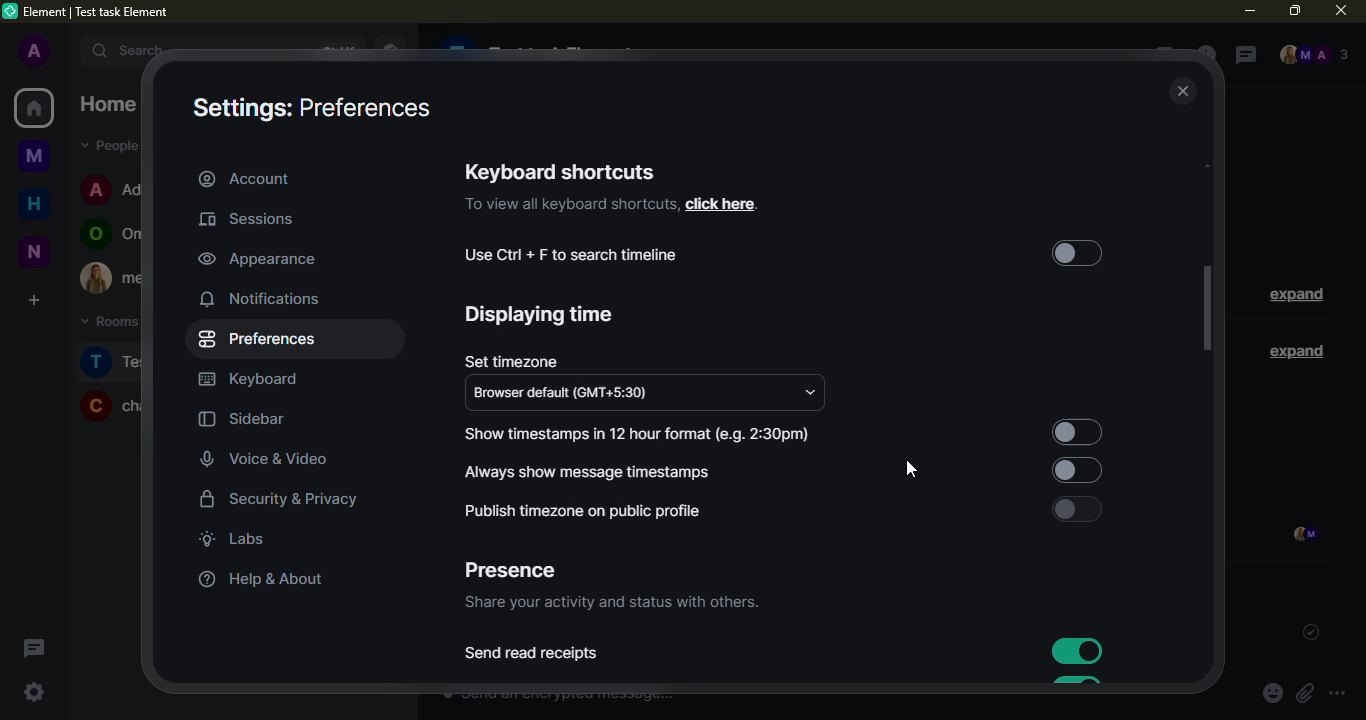 This screenshot has width=1366, height=720. What do you see at coordinates (911, 473) in the screenshot?
I see `cursor` at bounding box center [911, 473].